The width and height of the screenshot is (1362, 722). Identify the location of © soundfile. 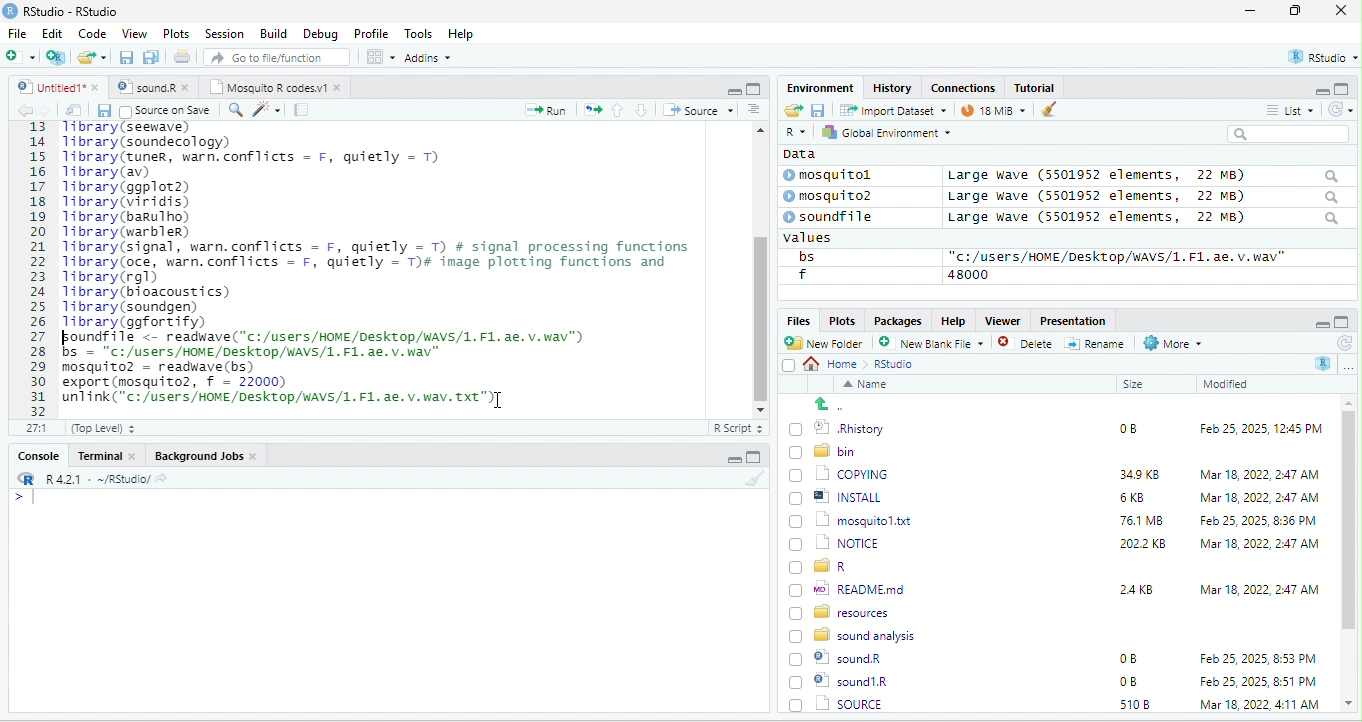
(837, 216).